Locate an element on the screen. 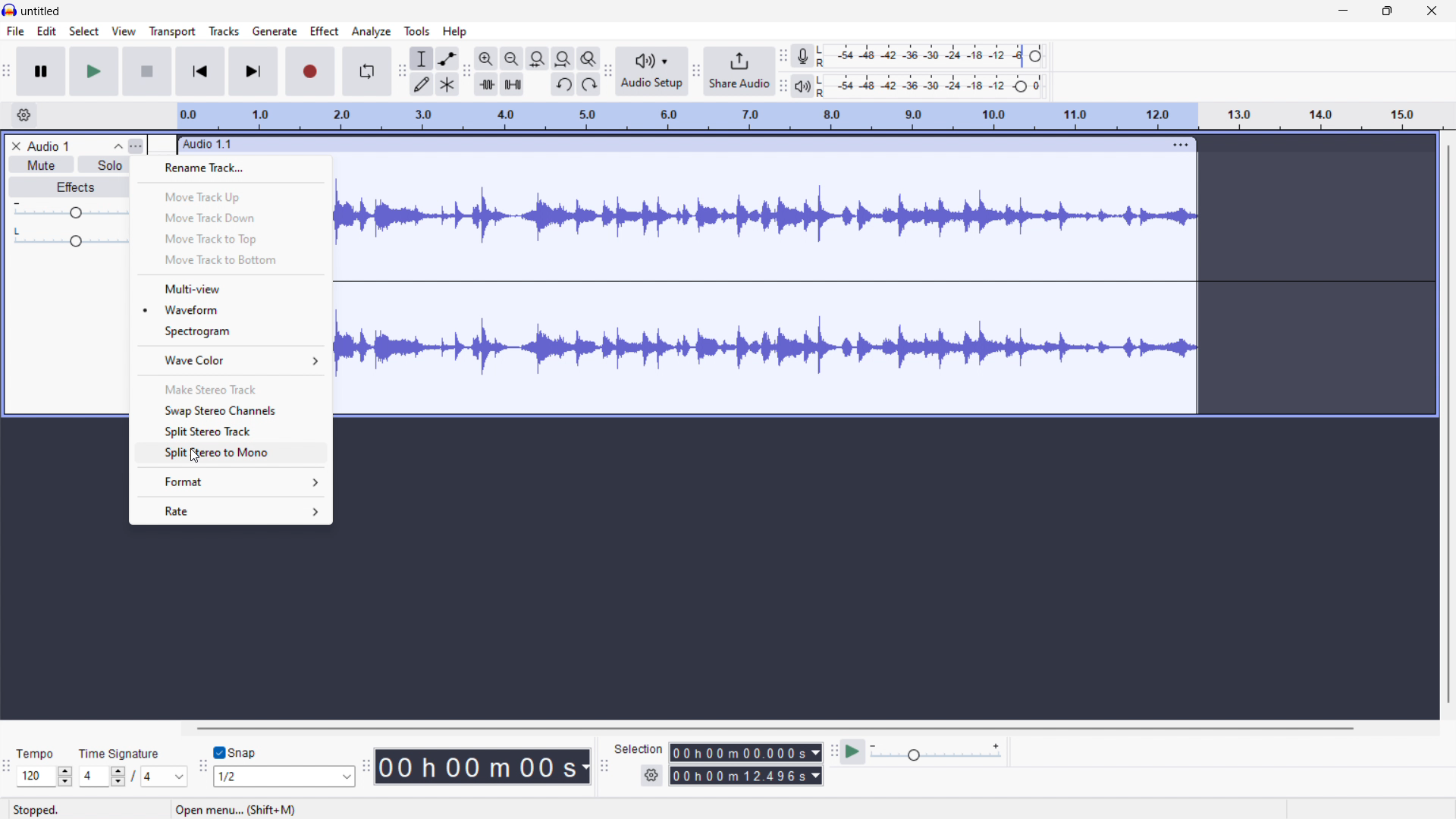 The image size is (1456, 819). Time Signature Label is located at coordinates (124, 752).